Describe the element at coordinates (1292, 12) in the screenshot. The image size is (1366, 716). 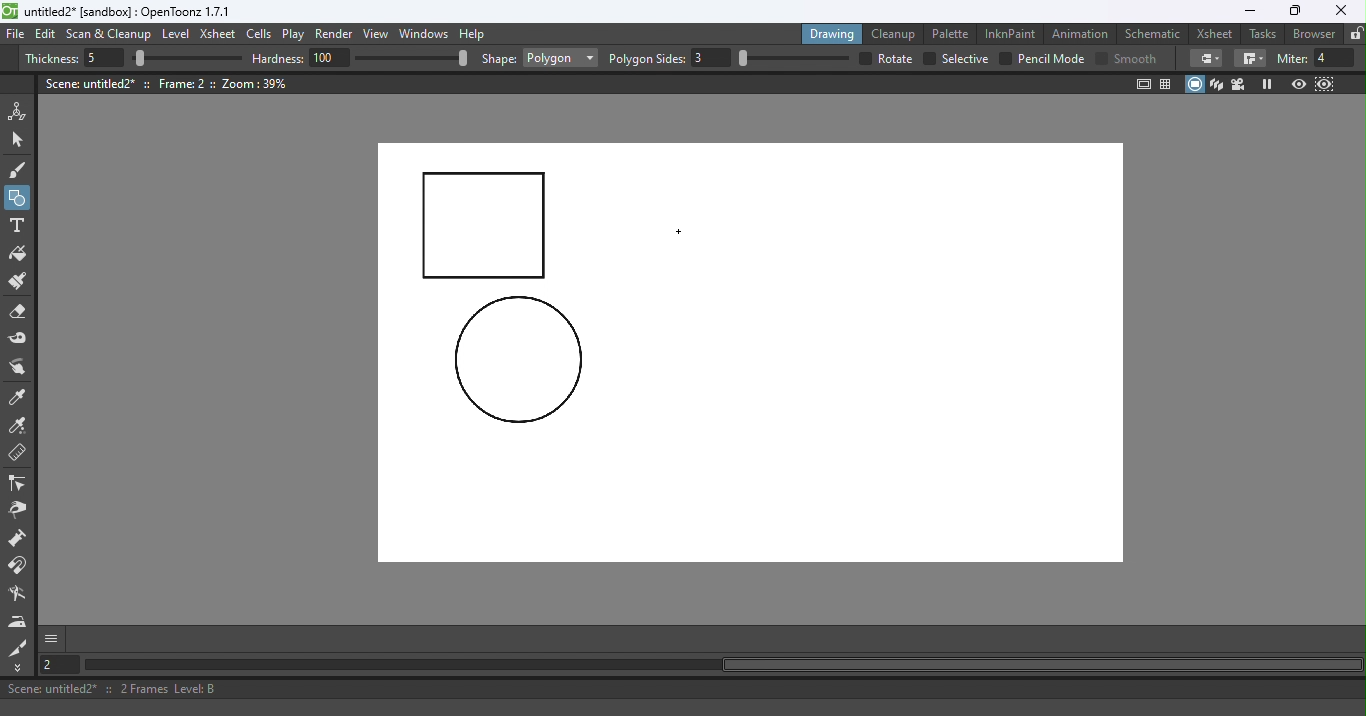
I see `Maximize` at that location.